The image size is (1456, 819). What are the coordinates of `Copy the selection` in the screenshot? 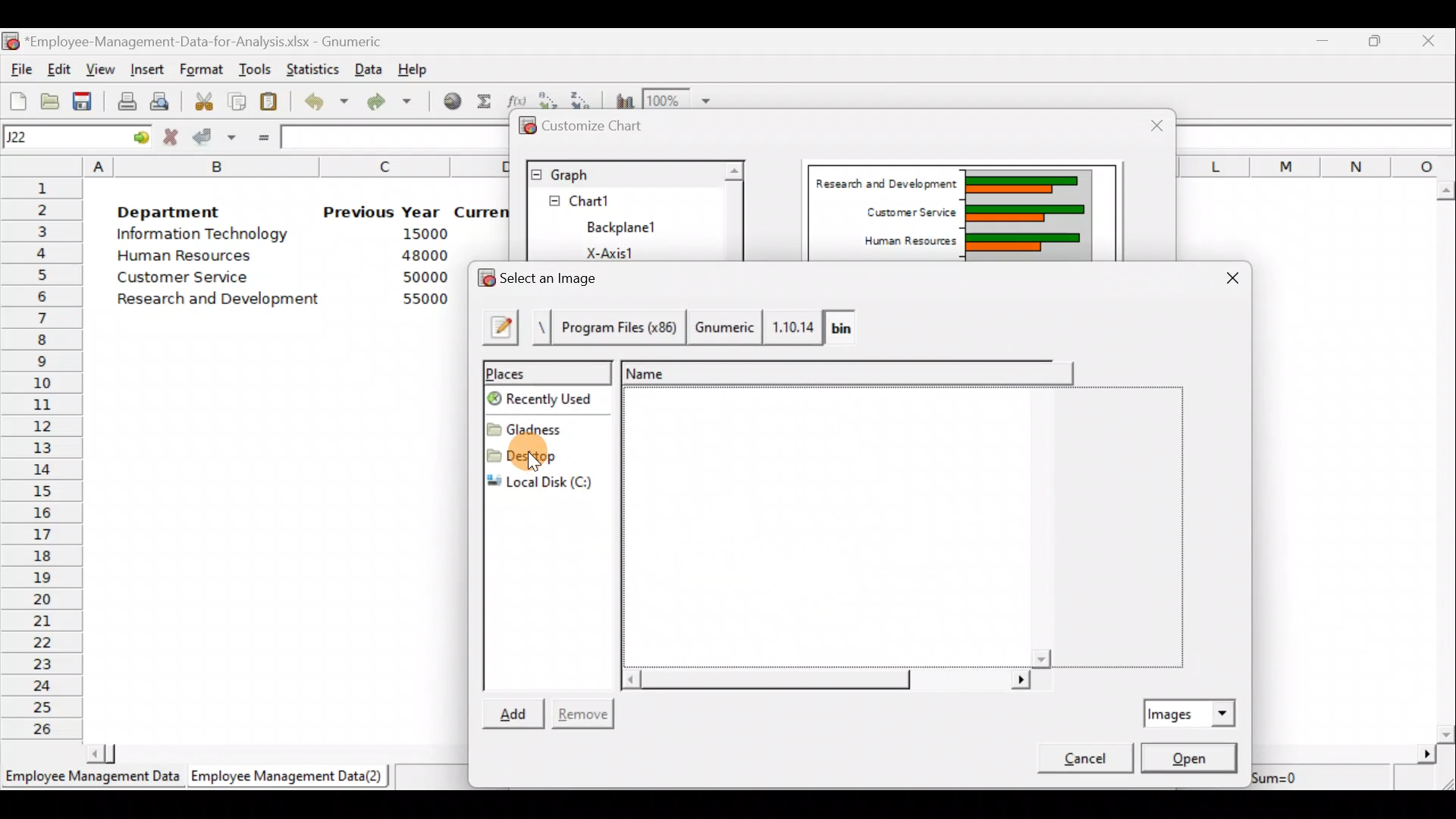 It's located at (241, 102).